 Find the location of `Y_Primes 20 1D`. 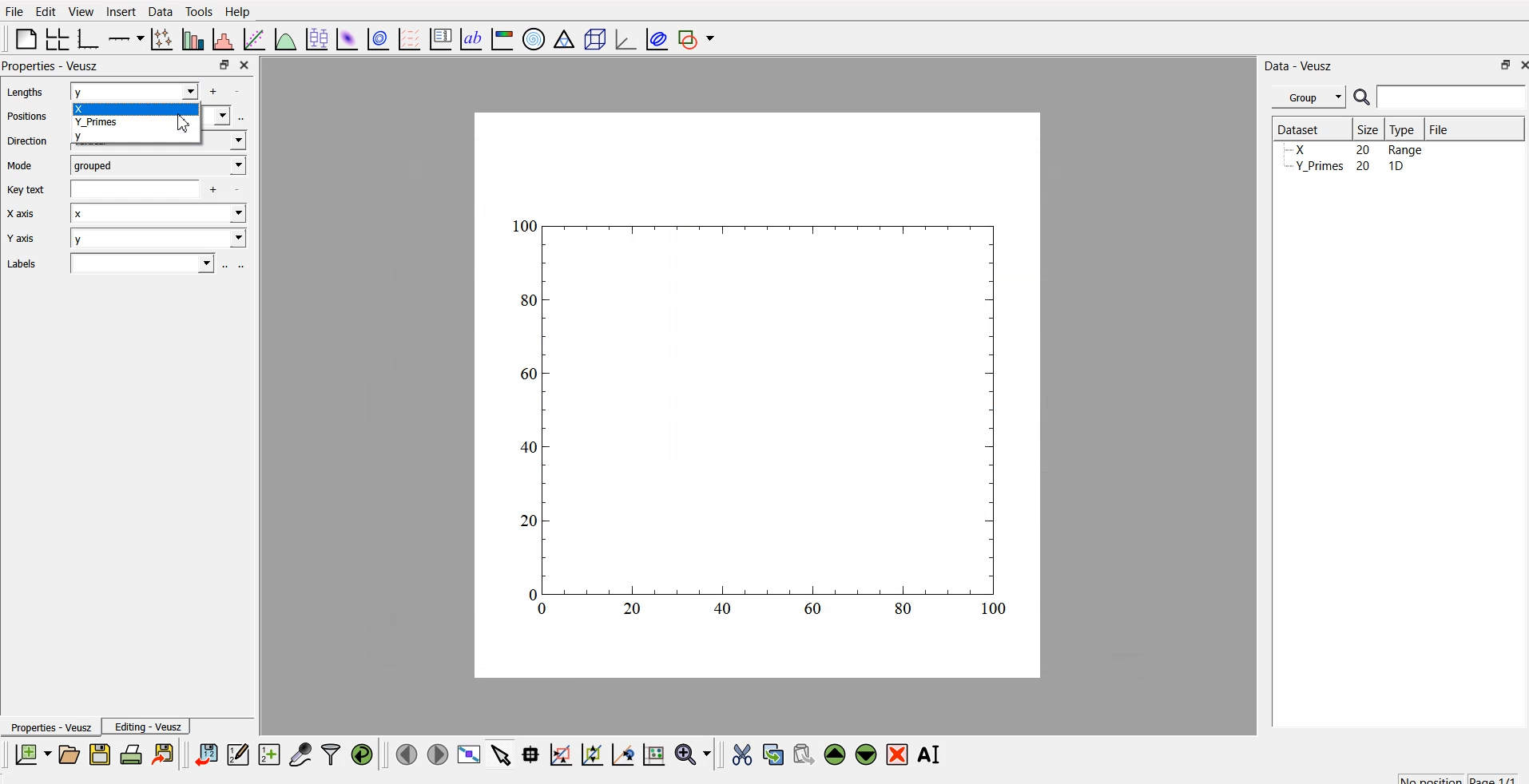

Y_Primes 20 1D is located at coordinates (1344, 151).